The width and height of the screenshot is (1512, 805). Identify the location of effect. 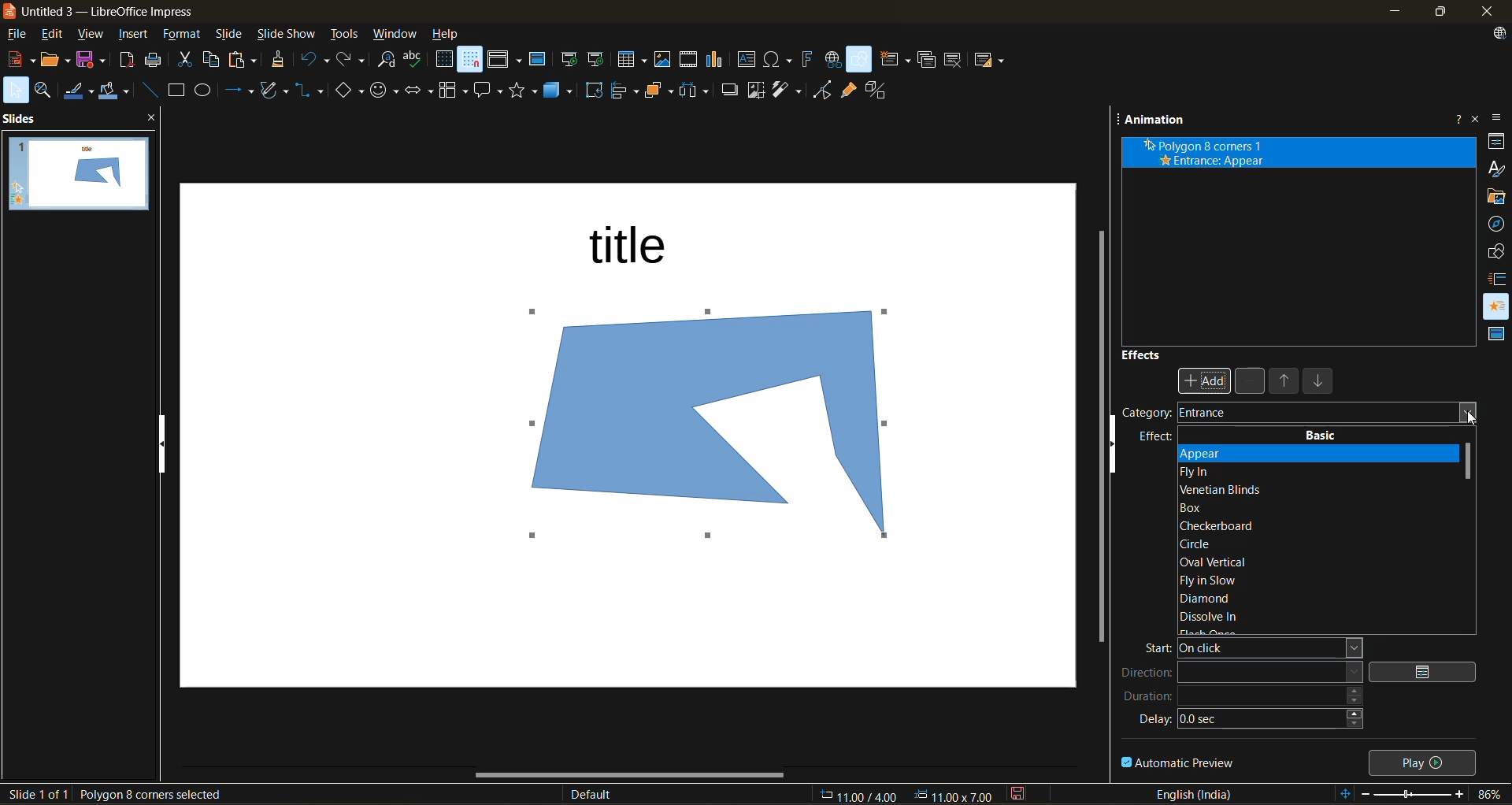
(1152, 439).